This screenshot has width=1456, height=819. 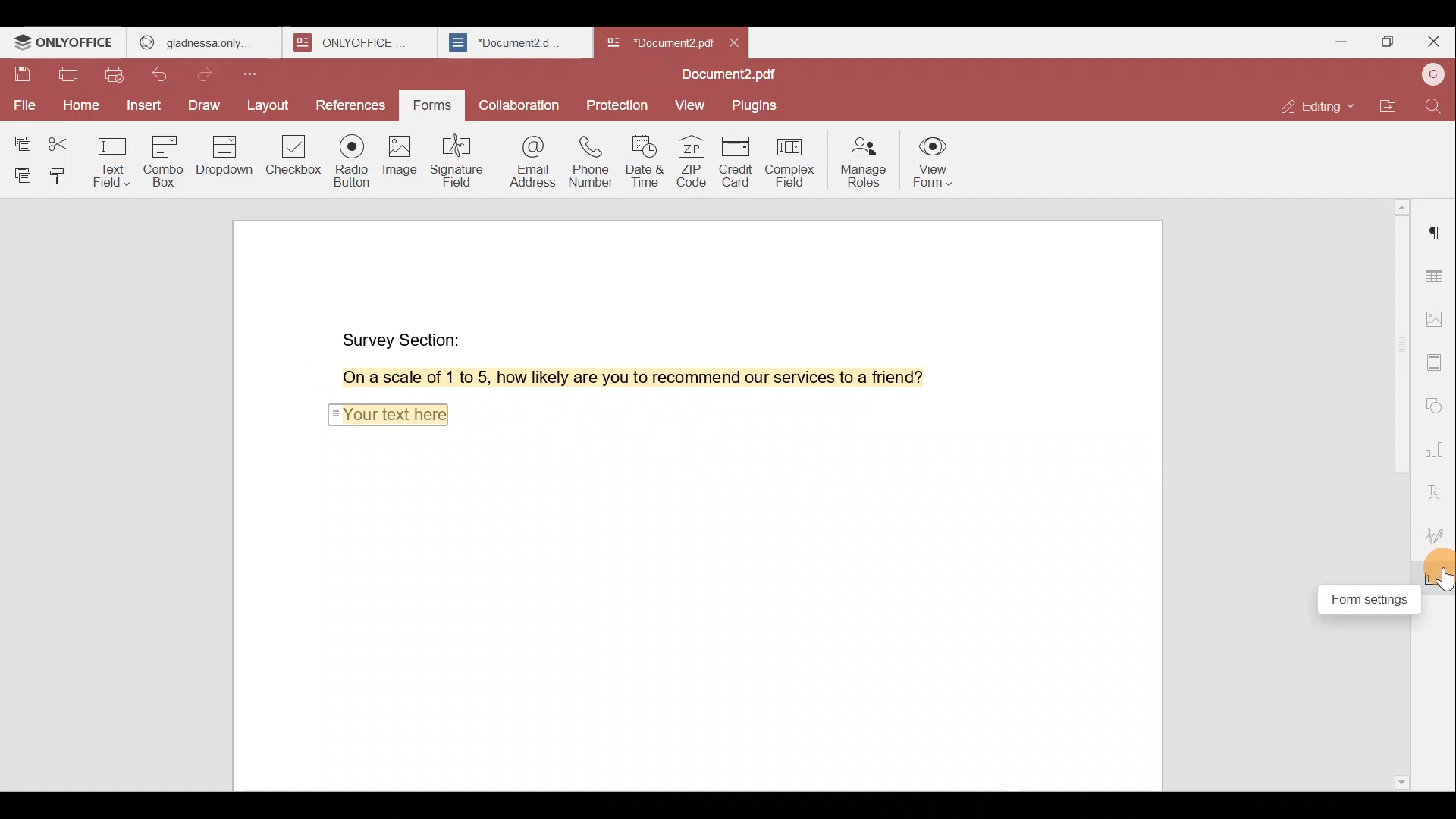 What do you see at coordinates (733, 76) in the screenshot?
I see `Document name` at bounding box center [733, 76].